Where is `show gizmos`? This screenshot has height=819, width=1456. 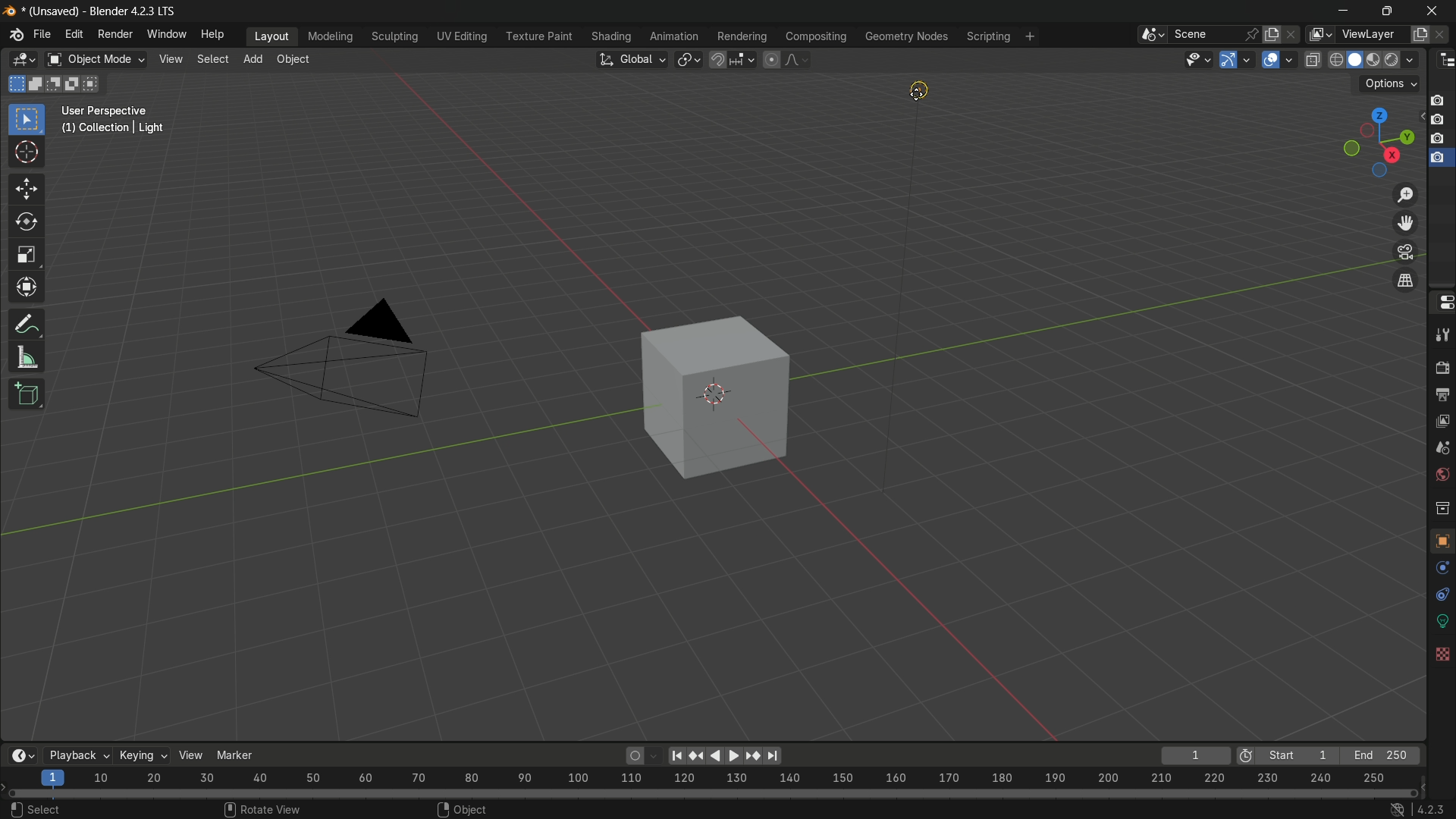
show gizmos is located at coordinates (1229, 59).